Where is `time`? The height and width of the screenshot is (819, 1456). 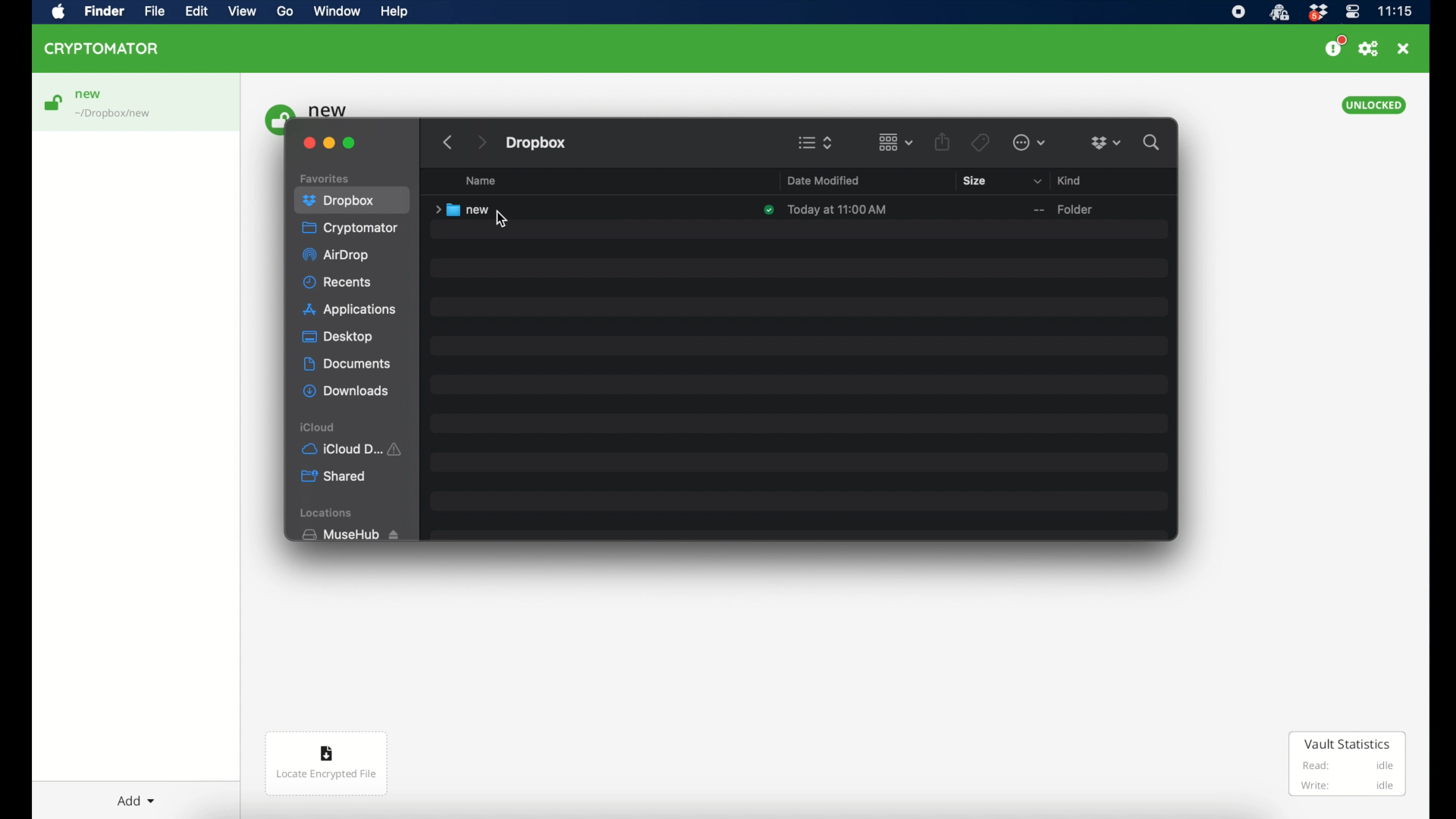 time is located at coordinates (1395, 11).